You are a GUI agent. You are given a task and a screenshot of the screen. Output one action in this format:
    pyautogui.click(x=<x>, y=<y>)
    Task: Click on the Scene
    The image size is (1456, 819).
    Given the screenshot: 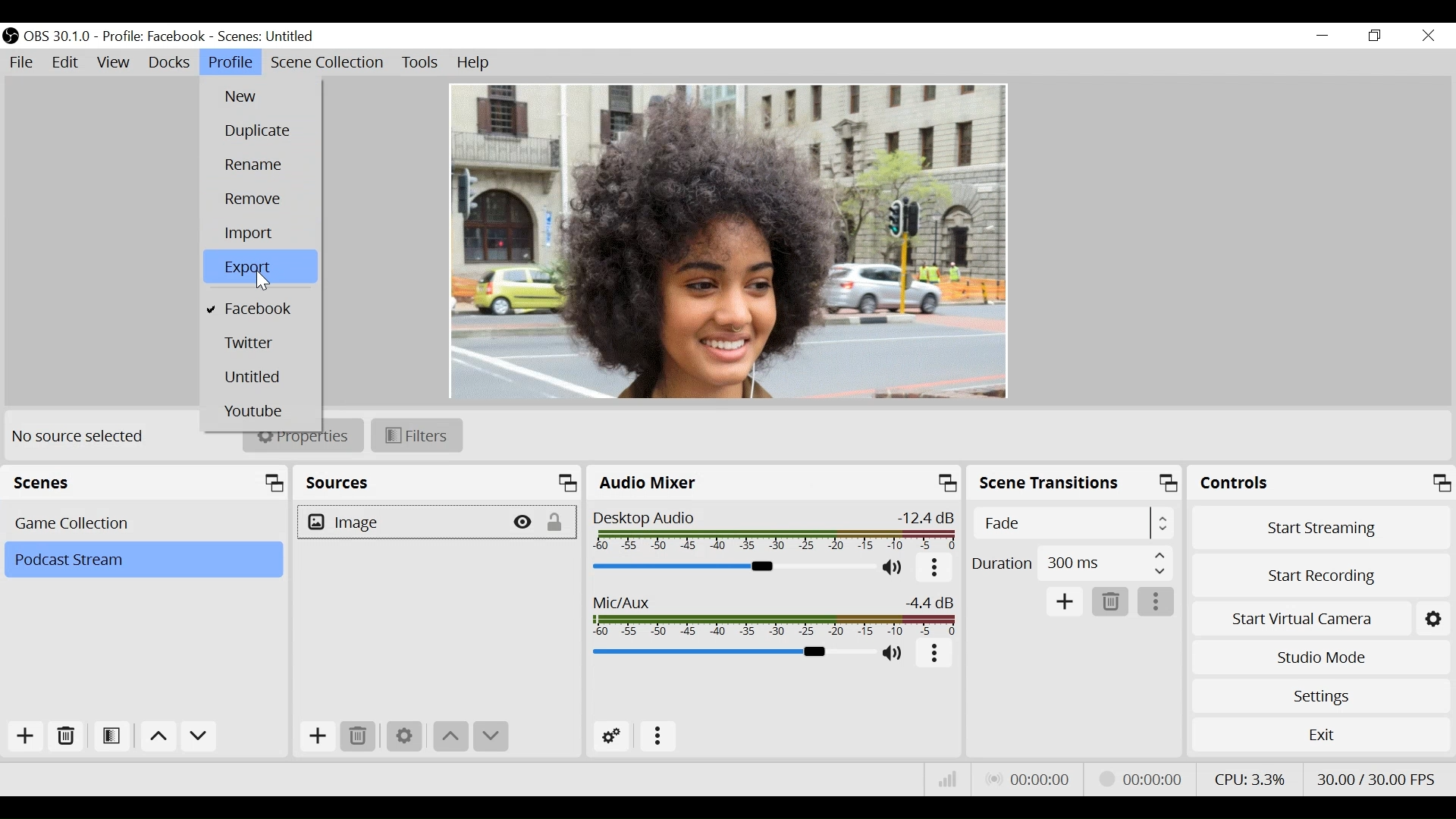 What is the action you would take?
    pyautogui.click(x=271, y=36)
    